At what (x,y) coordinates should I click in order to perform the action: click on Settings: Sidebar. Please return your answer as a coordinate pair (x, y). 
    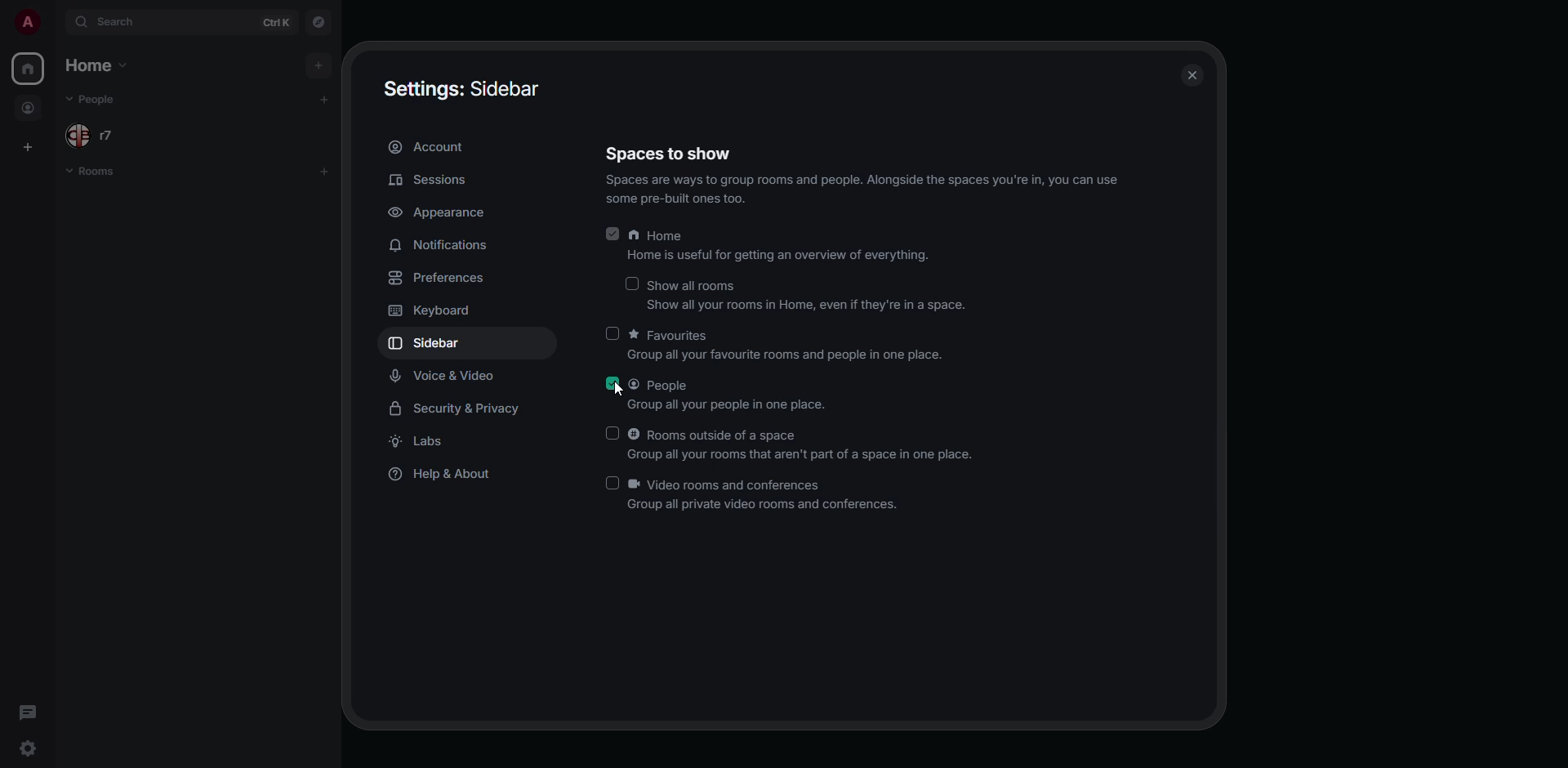
    Looking at the image, I should click on (464, 88).